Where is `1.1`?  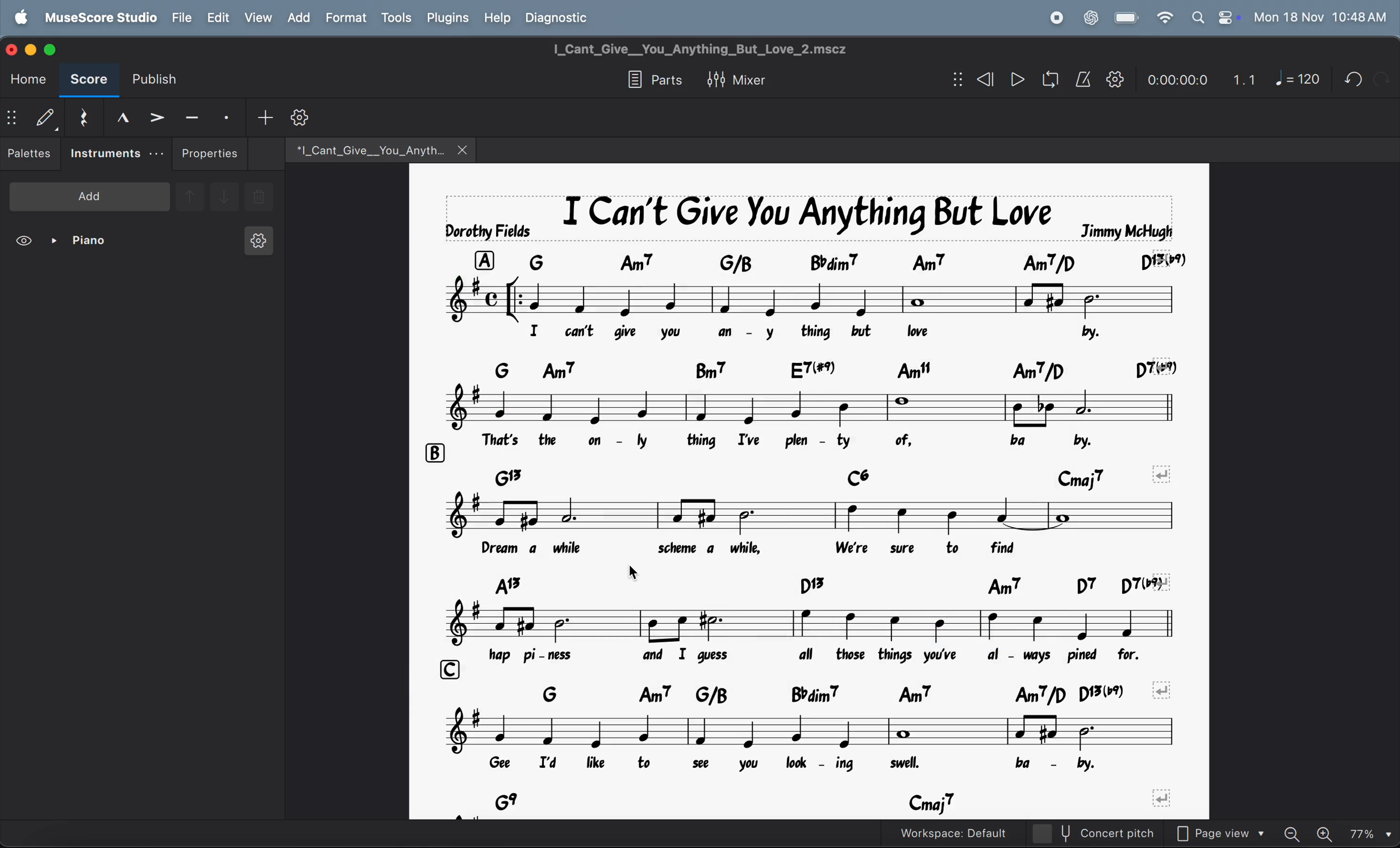
1.1 is located at coordinates (1244, 77).